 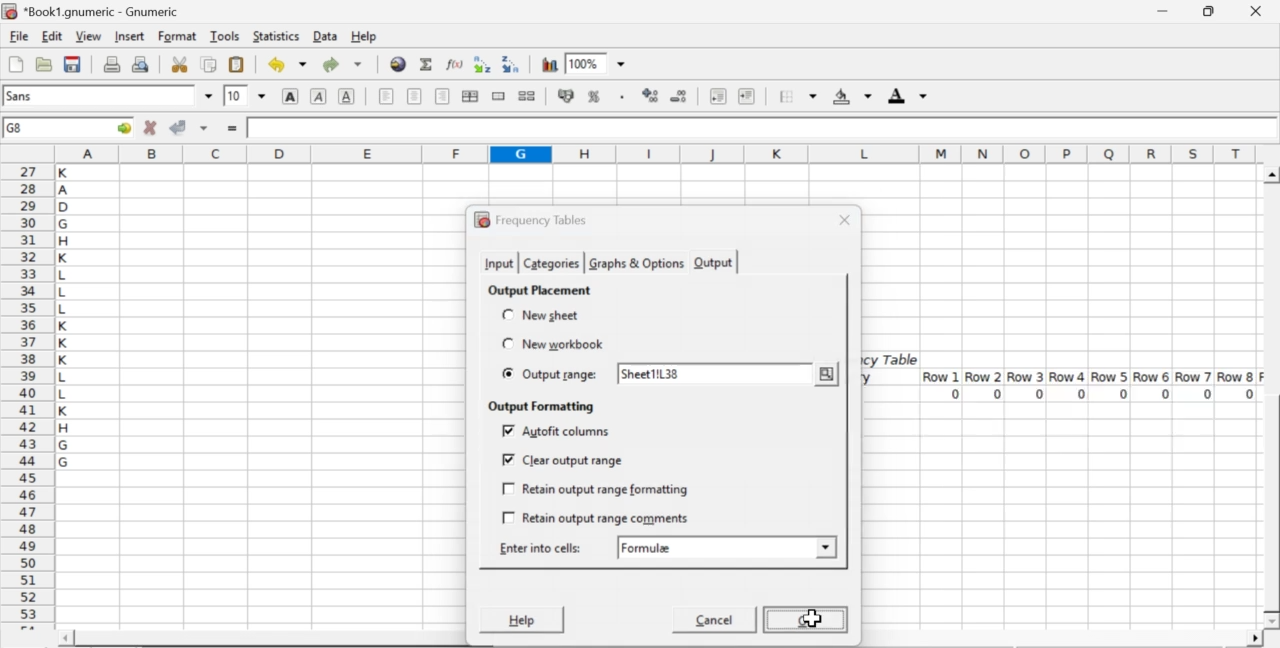 I want to click on cancel changes, so click(x=151, y=127).